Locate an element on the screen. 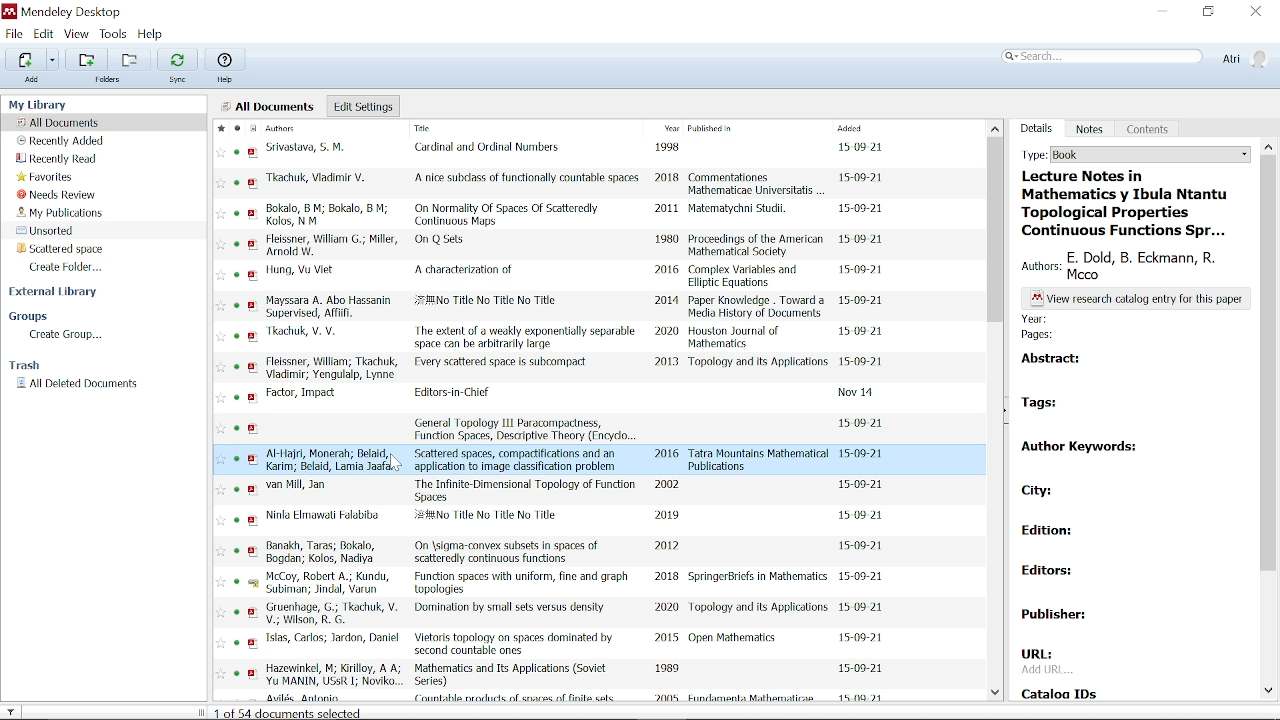  authors is located at coordinates (1135, 266).